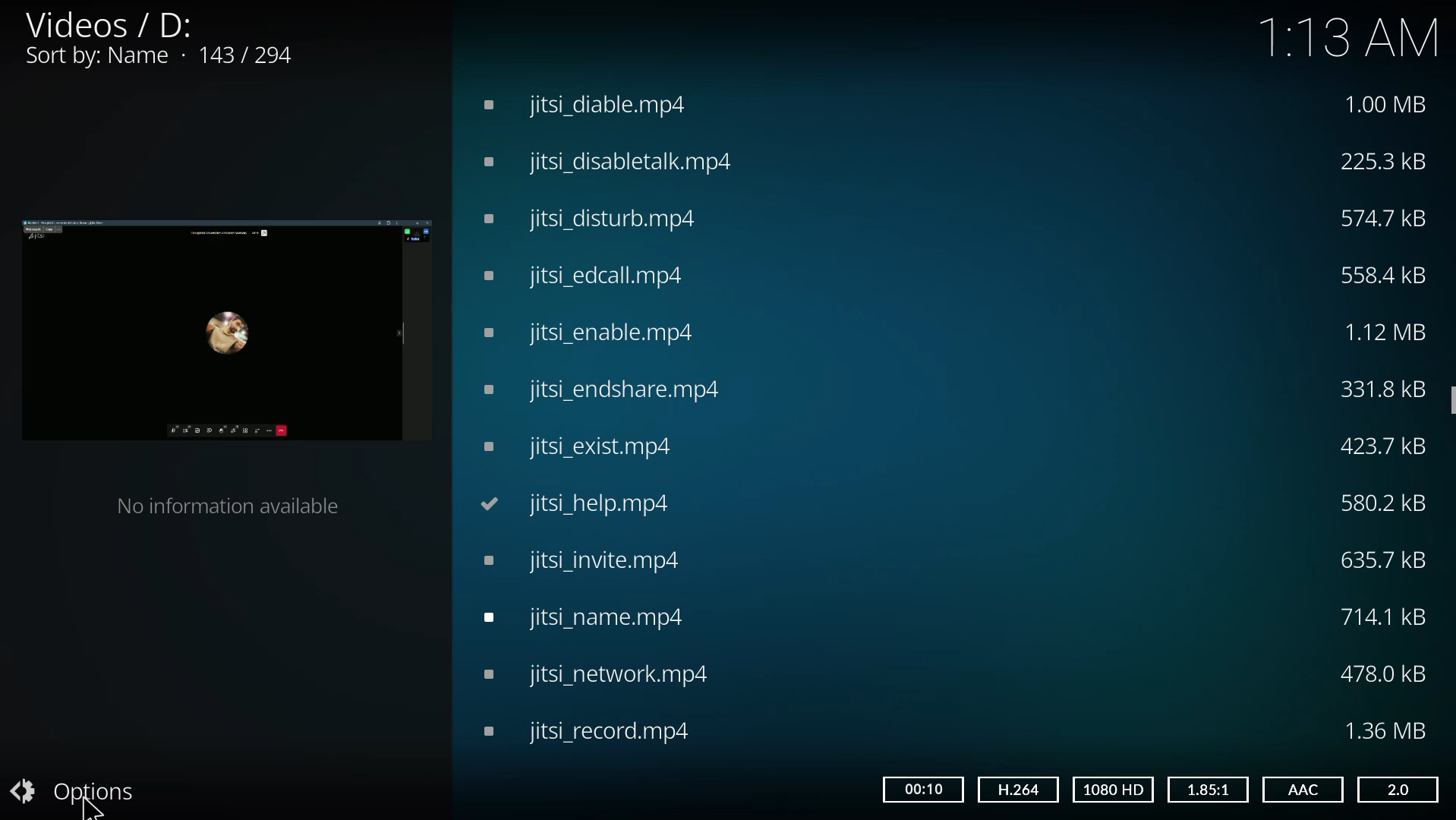 The width and height of the screenshot is (1456, 820). What do you see at coordinates (1383, 273) in the screenshot?
I see `size` at bounding box center [1383, 273].